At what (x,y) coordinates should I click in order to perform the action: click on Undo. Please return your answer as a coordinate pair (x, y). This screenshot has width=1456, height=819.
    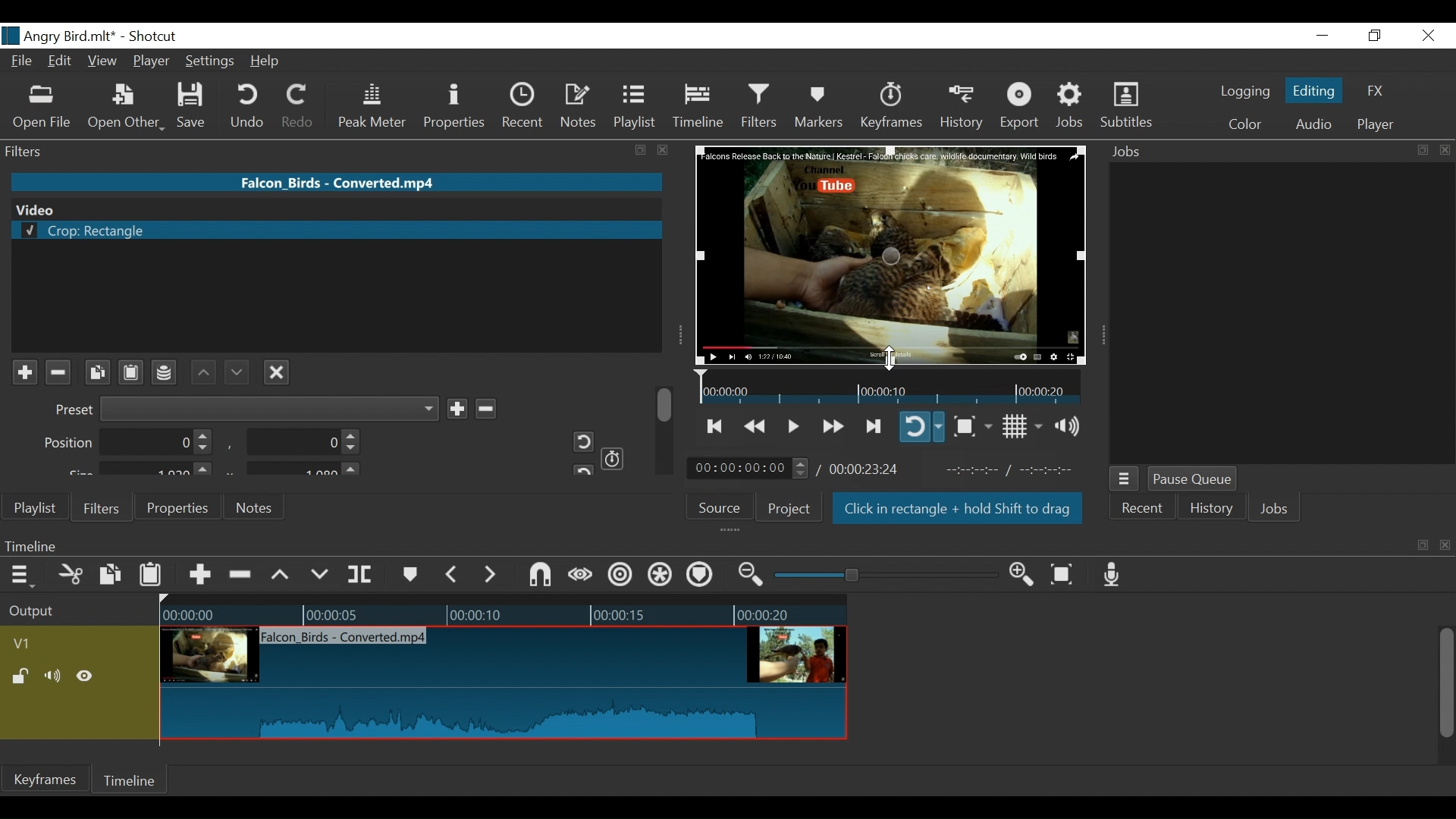
    Looking at the image, I should click on (249, 106).